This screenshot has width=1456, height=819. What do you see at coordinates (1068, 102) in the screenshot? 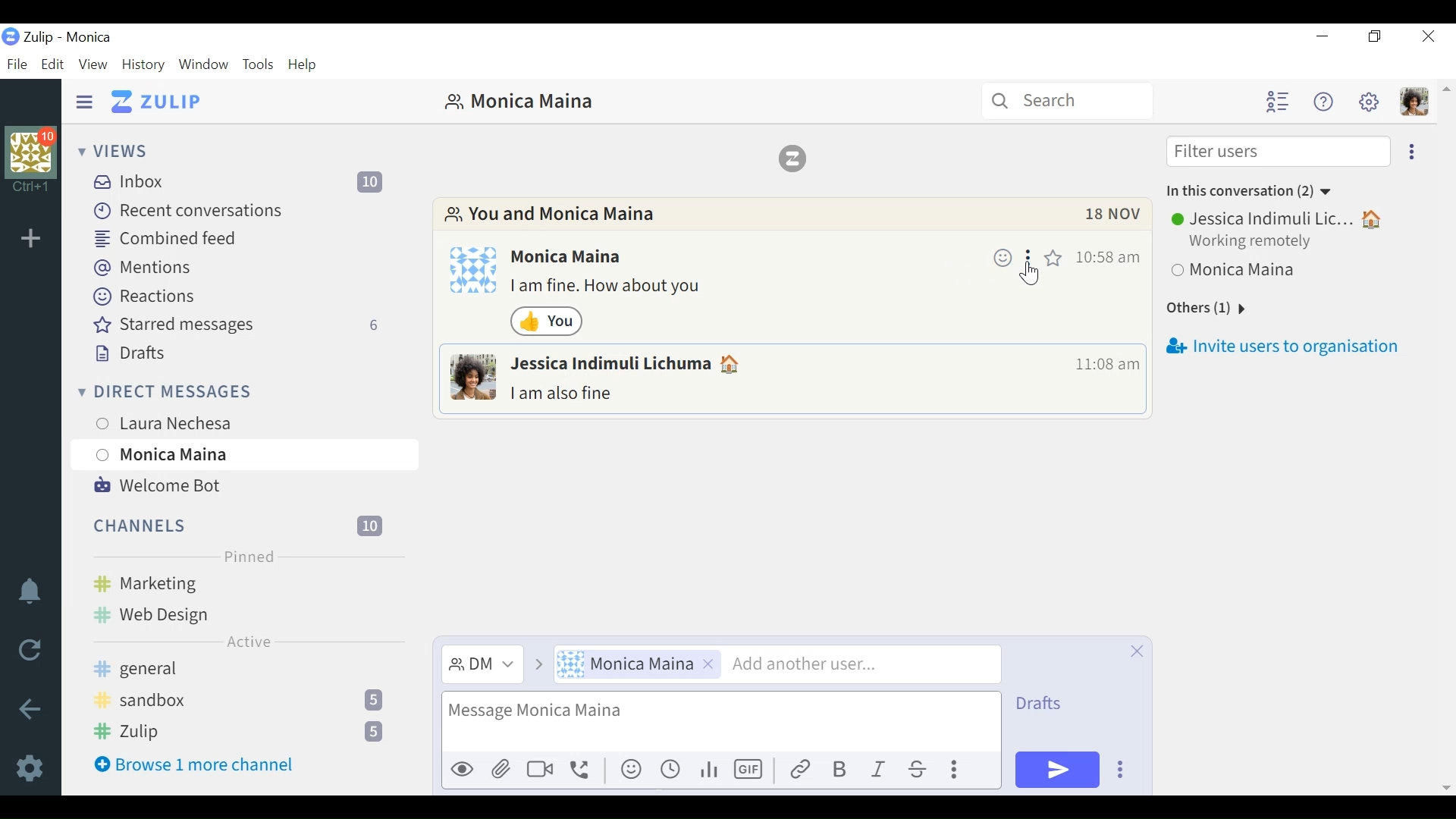
I see `Search` at bounding box center [1068, 102].